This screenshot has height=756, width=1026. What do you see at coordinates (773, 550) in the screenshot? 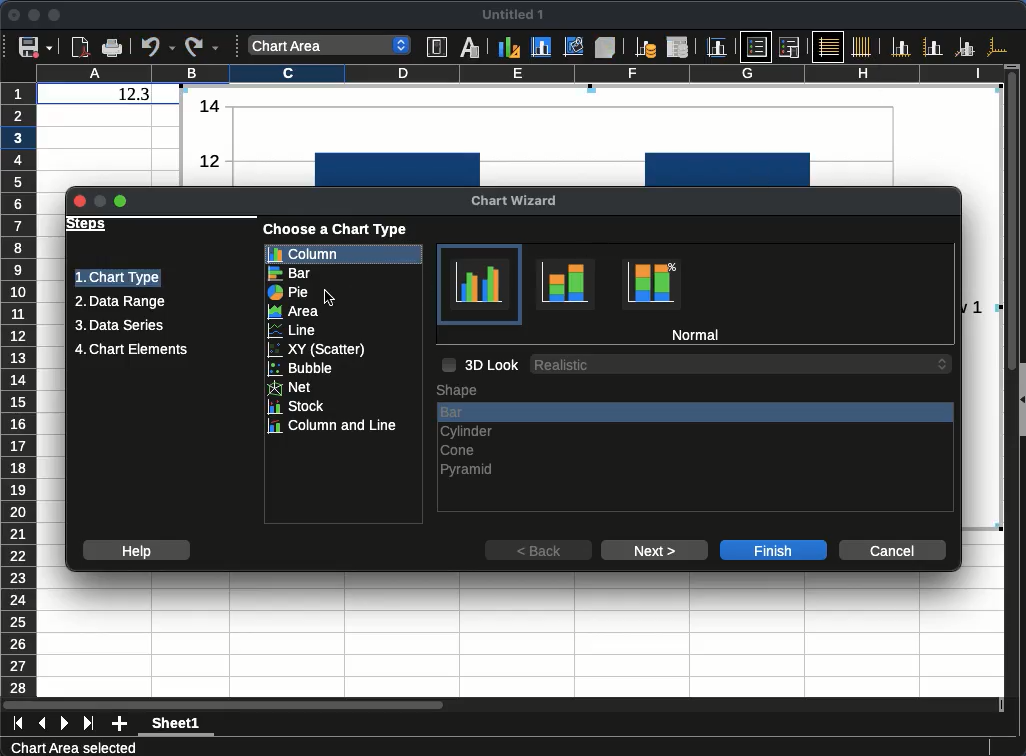
I see `finish` at bounding box center [773, 550].